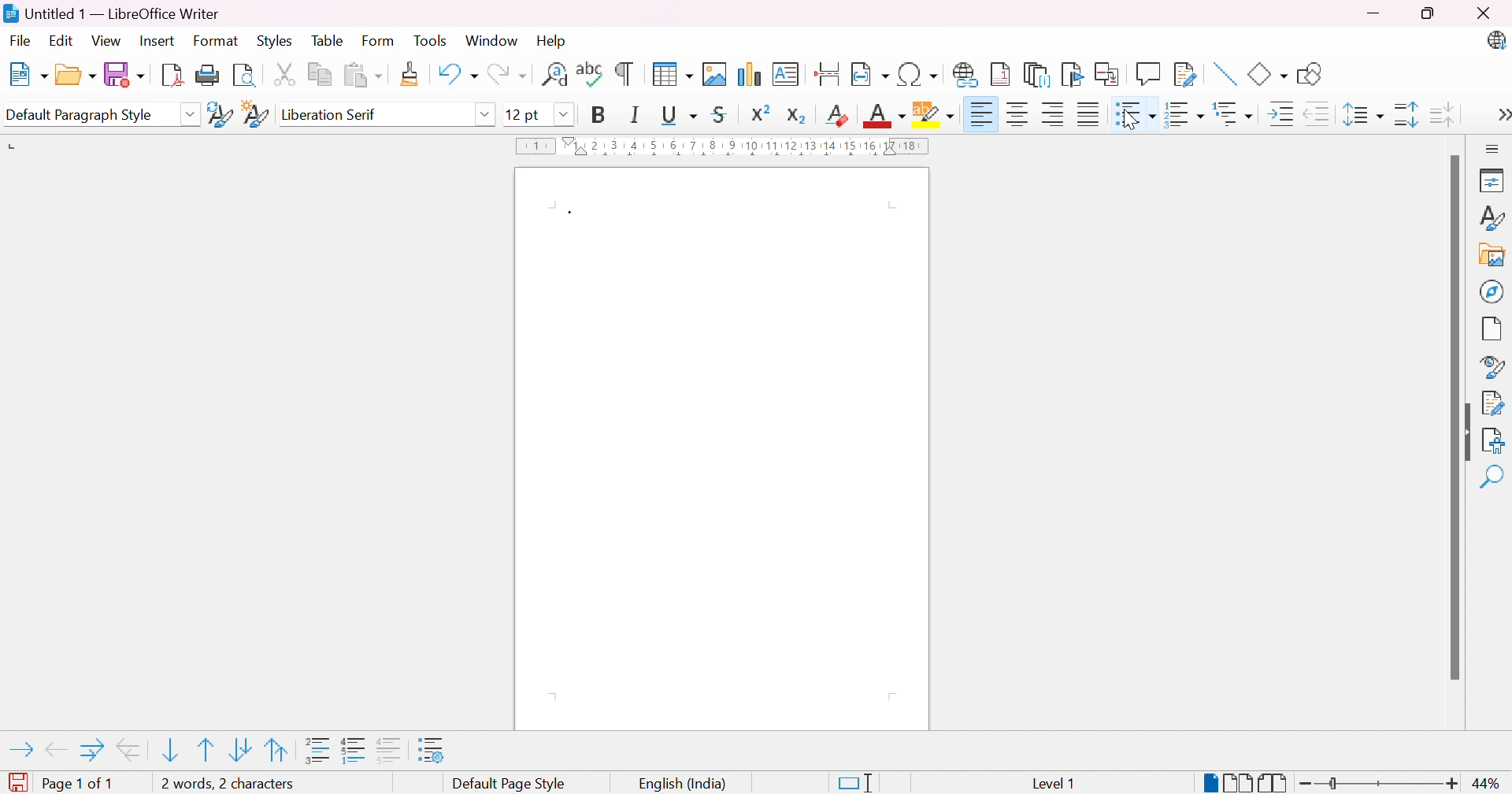 Image resolution: width=1512 pixels, height=794 pixels. What do you see at coordinates (207, 751) in the screenshot?
I see `Move item up` at bounding box center [207, 751].